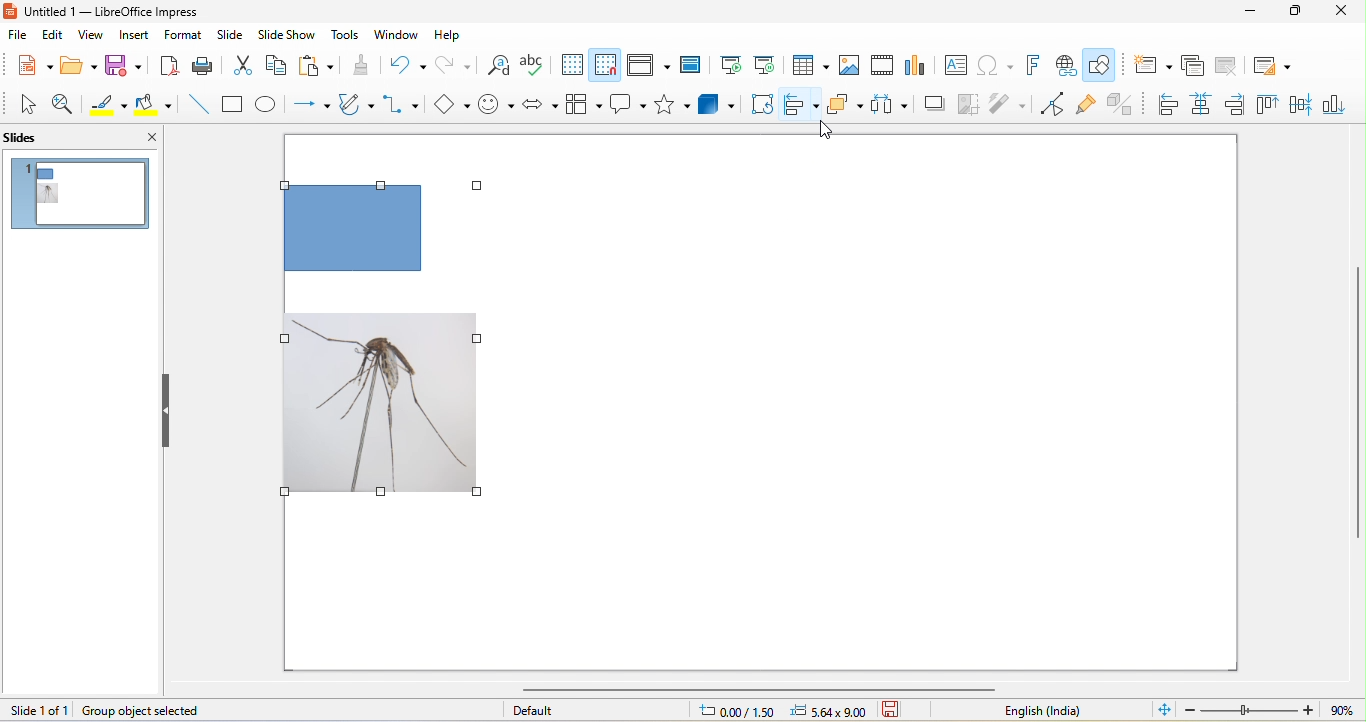 Image resolution: width=1366 pixels, height=722 pixels. Describe the element at coordinates (1045, 711) in the screenshot. I see `text language` at that location.